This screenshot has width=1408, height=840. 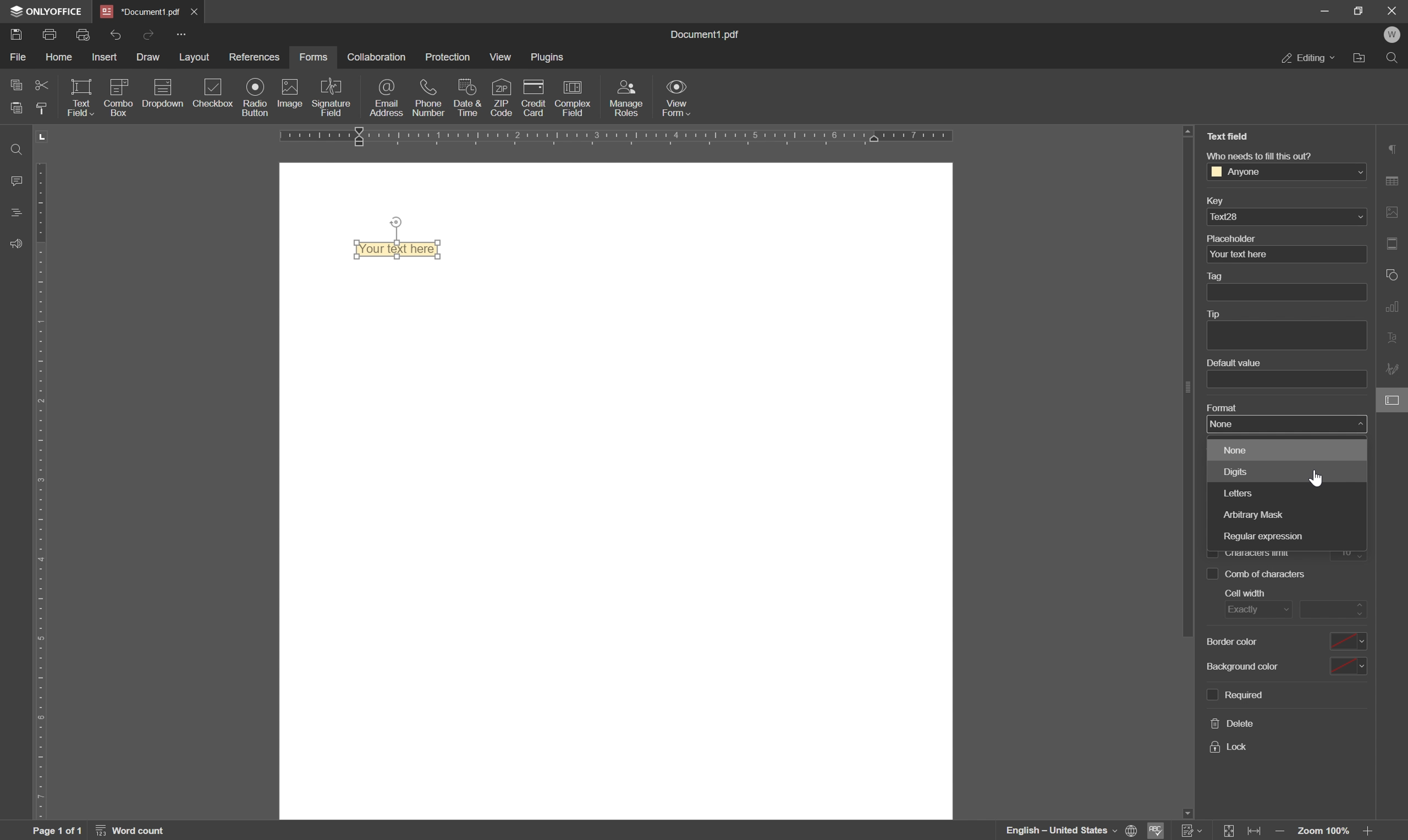 I want to click on regular expression, so click(x=1264, y=537).